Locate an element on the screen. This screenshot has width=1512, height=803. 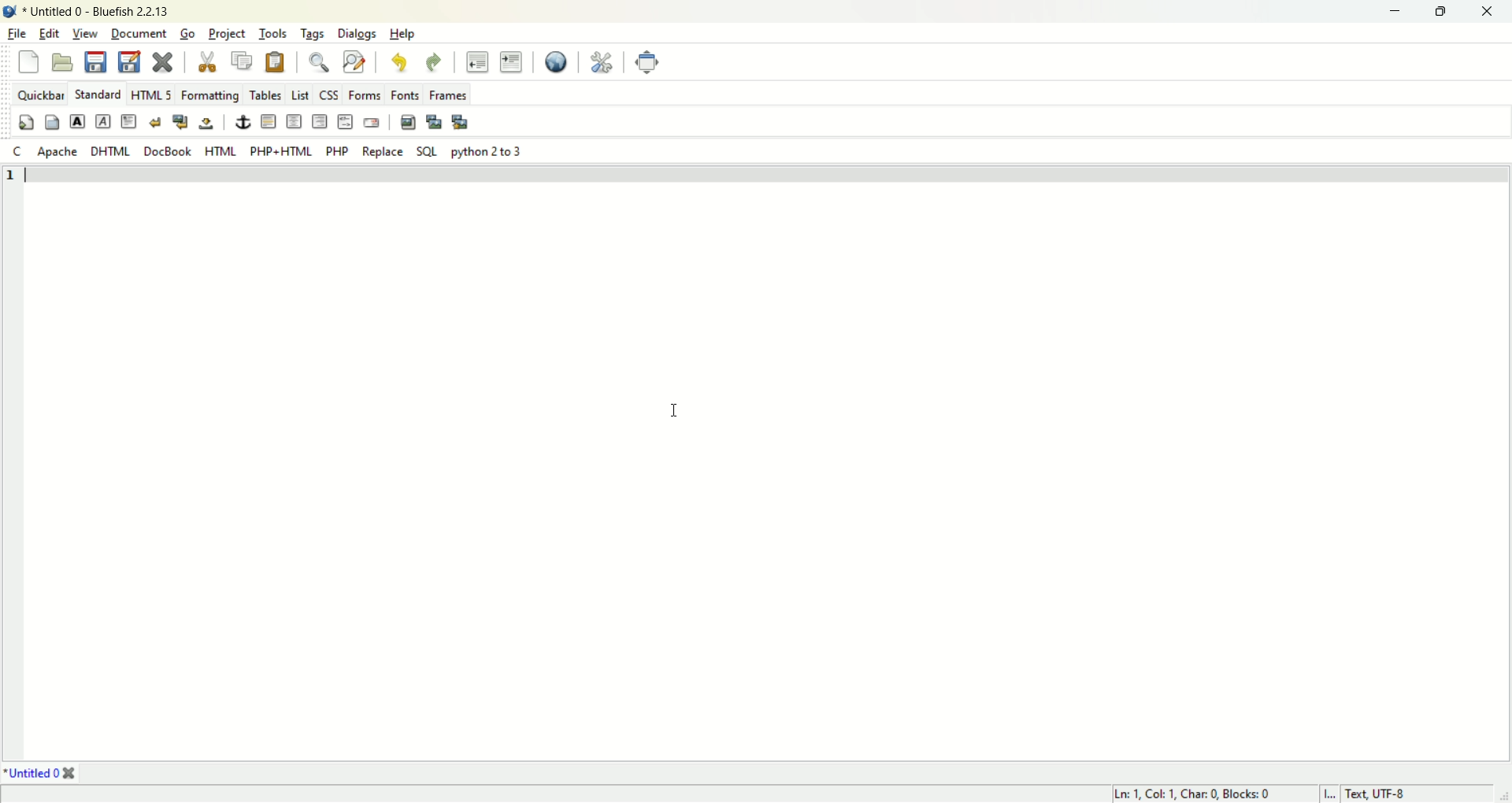
html comment is located at coordinates (345, 121).